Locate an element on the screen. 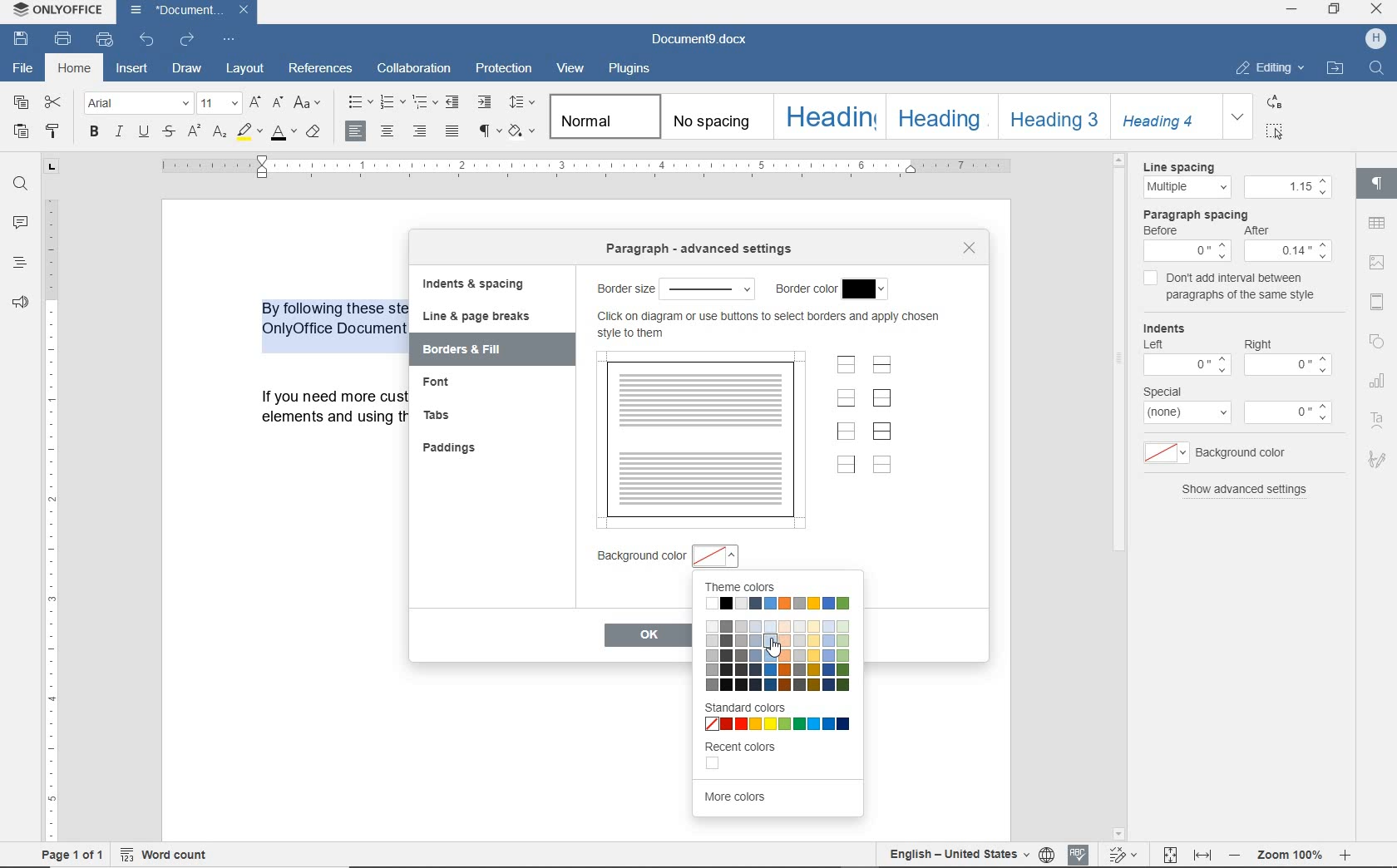 The image size is (1397, 868). paddings is located at coordinates (454, 448).